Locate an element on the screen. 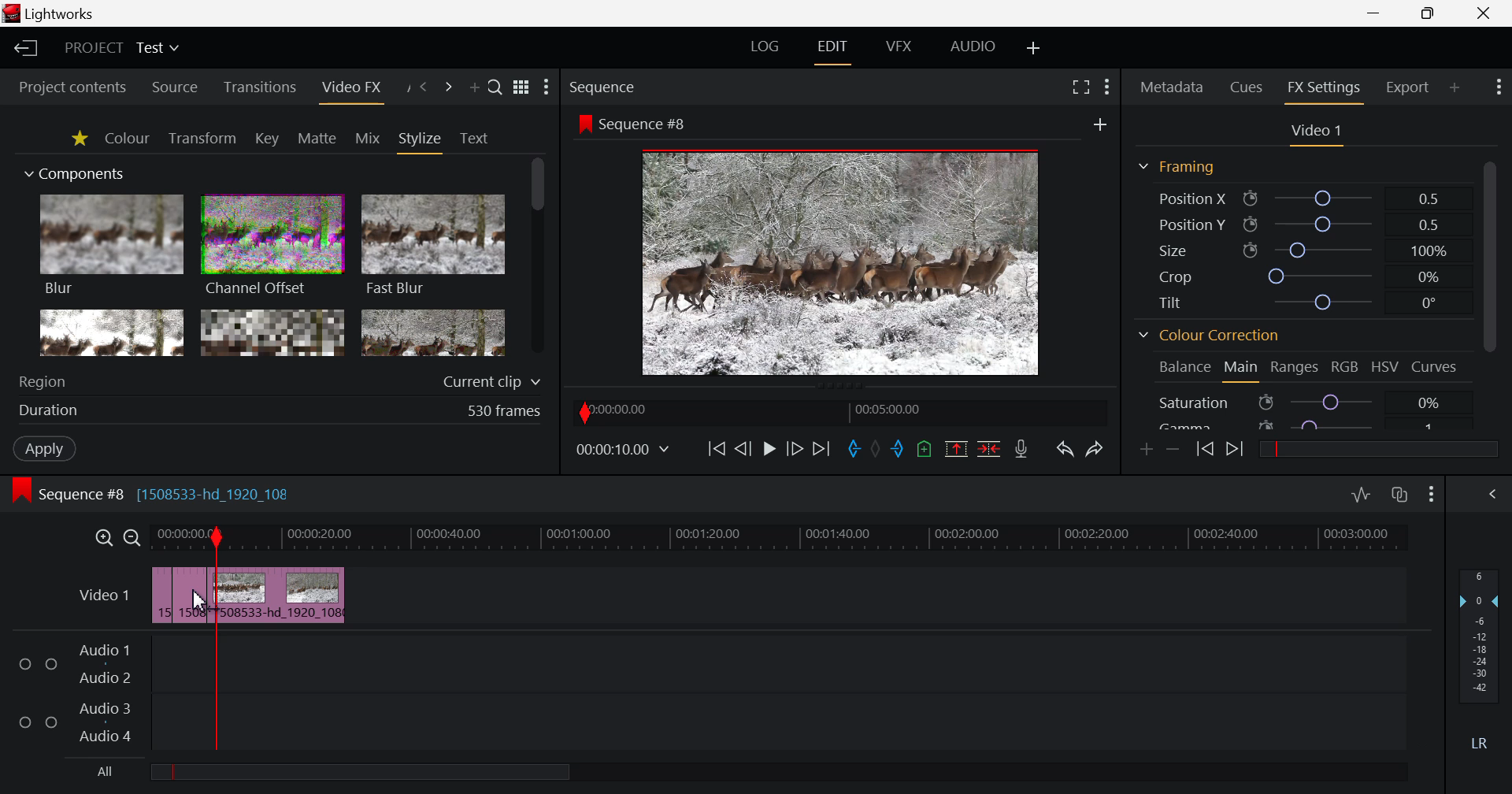 This screenshot has width=1512, height=794. Next keyframe is located at coordinates (1236, 451).